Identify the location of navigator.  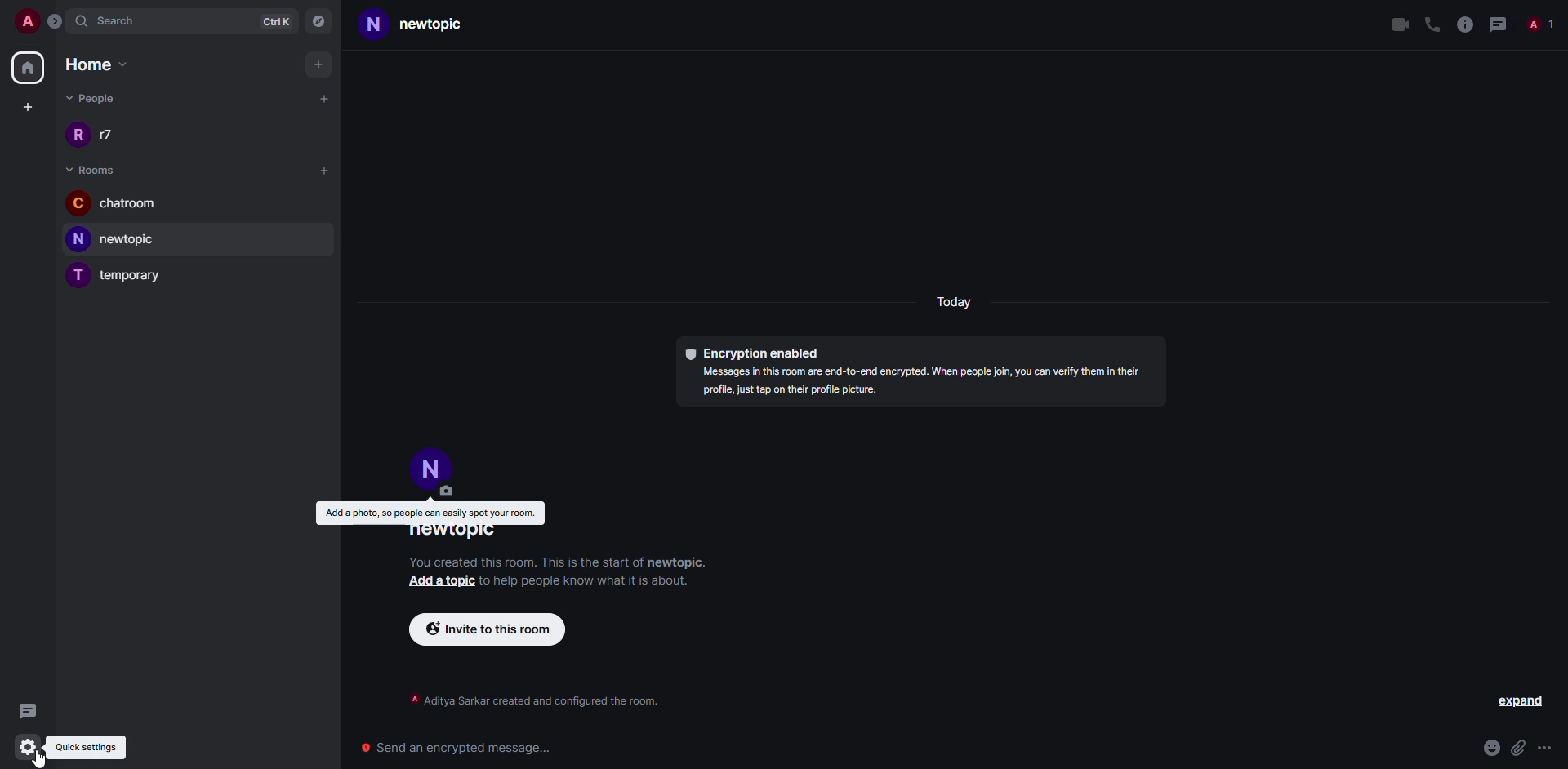
(319, 20).